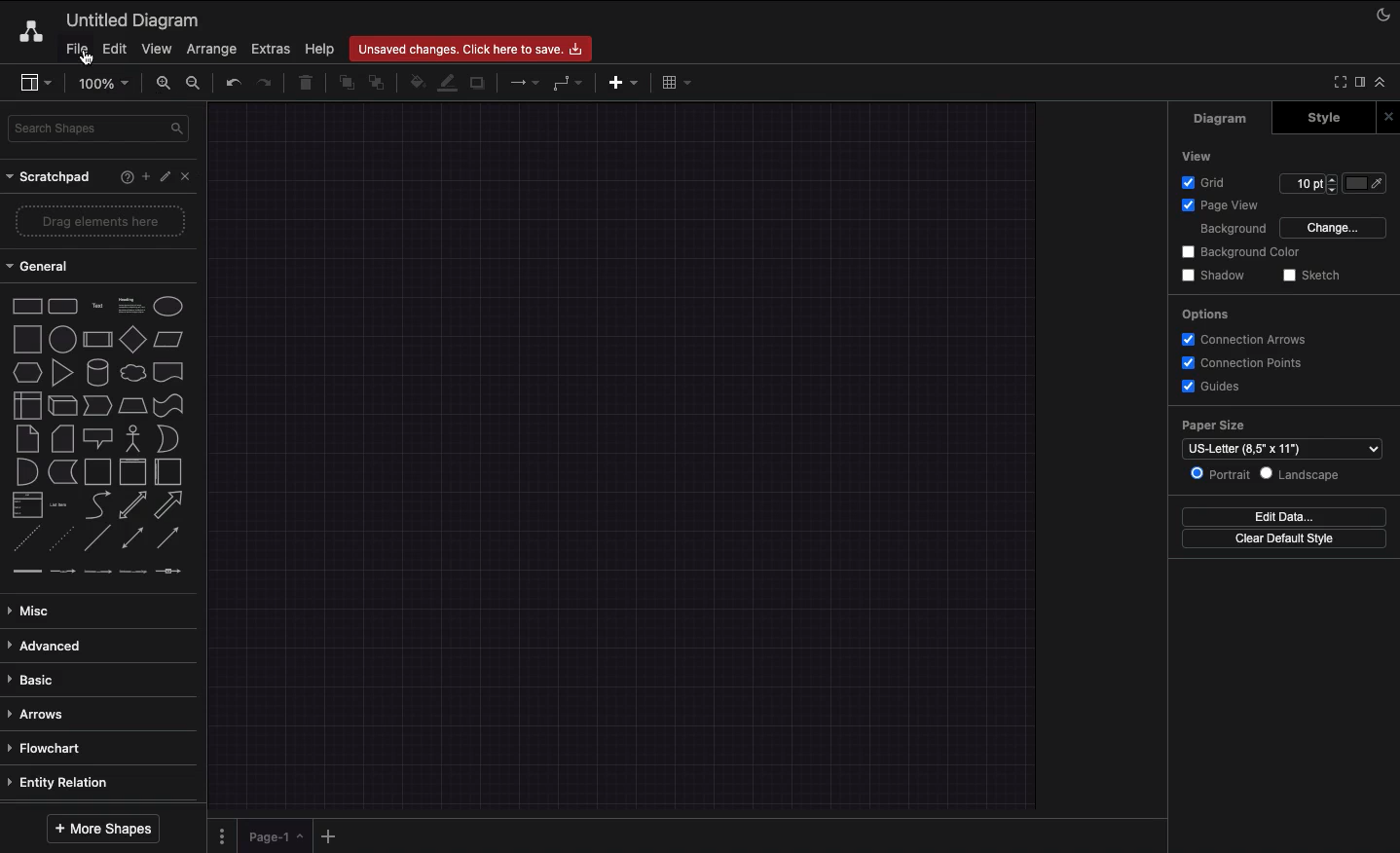 This screenshot has width=1400, height=853. What do you see at coordinates (163, 84) in the screenshot?
I see `Zoom in` at bounding box center [163, 84].